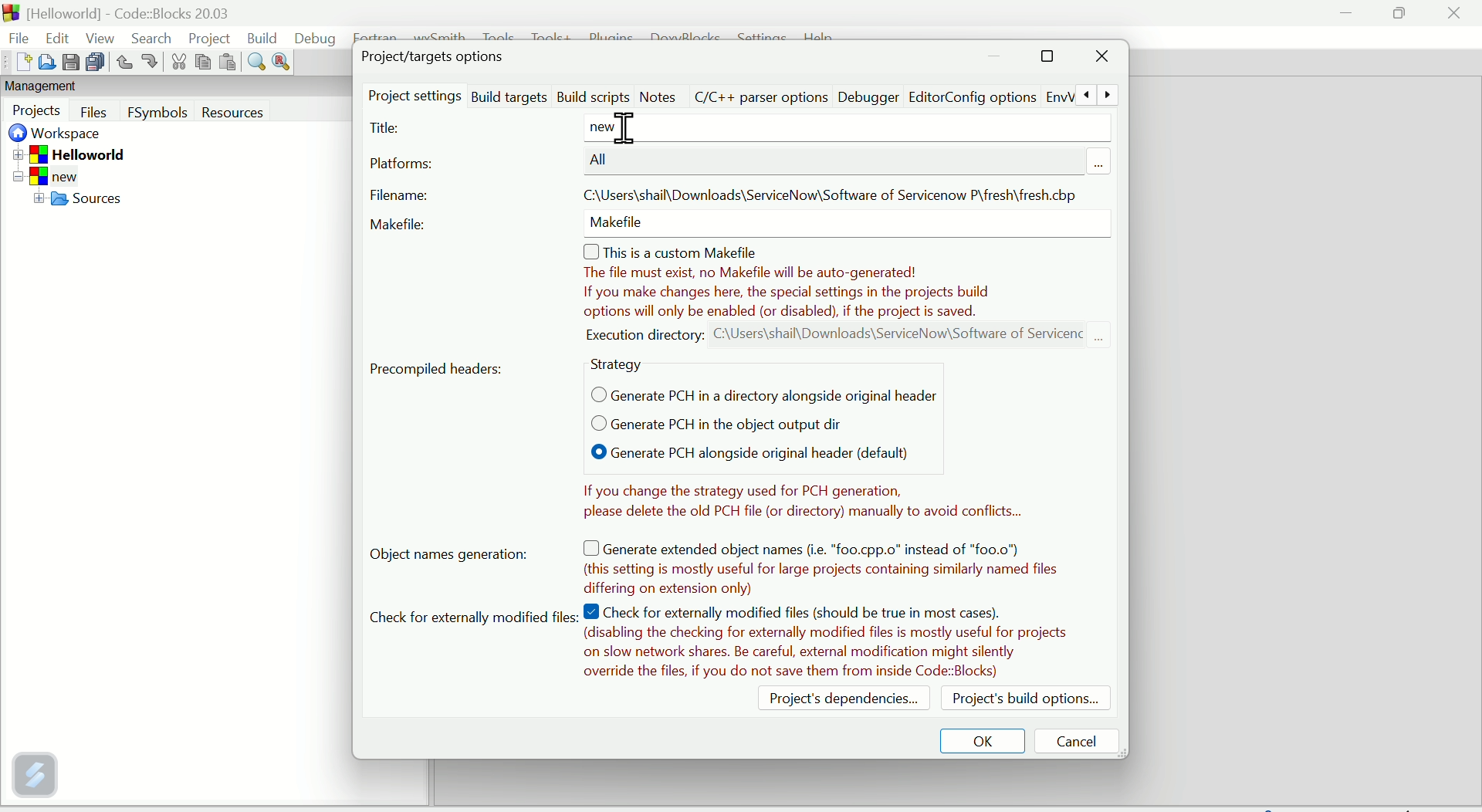 The image size is (1482, 812). I want to click on Platforms, so click(403, 166).